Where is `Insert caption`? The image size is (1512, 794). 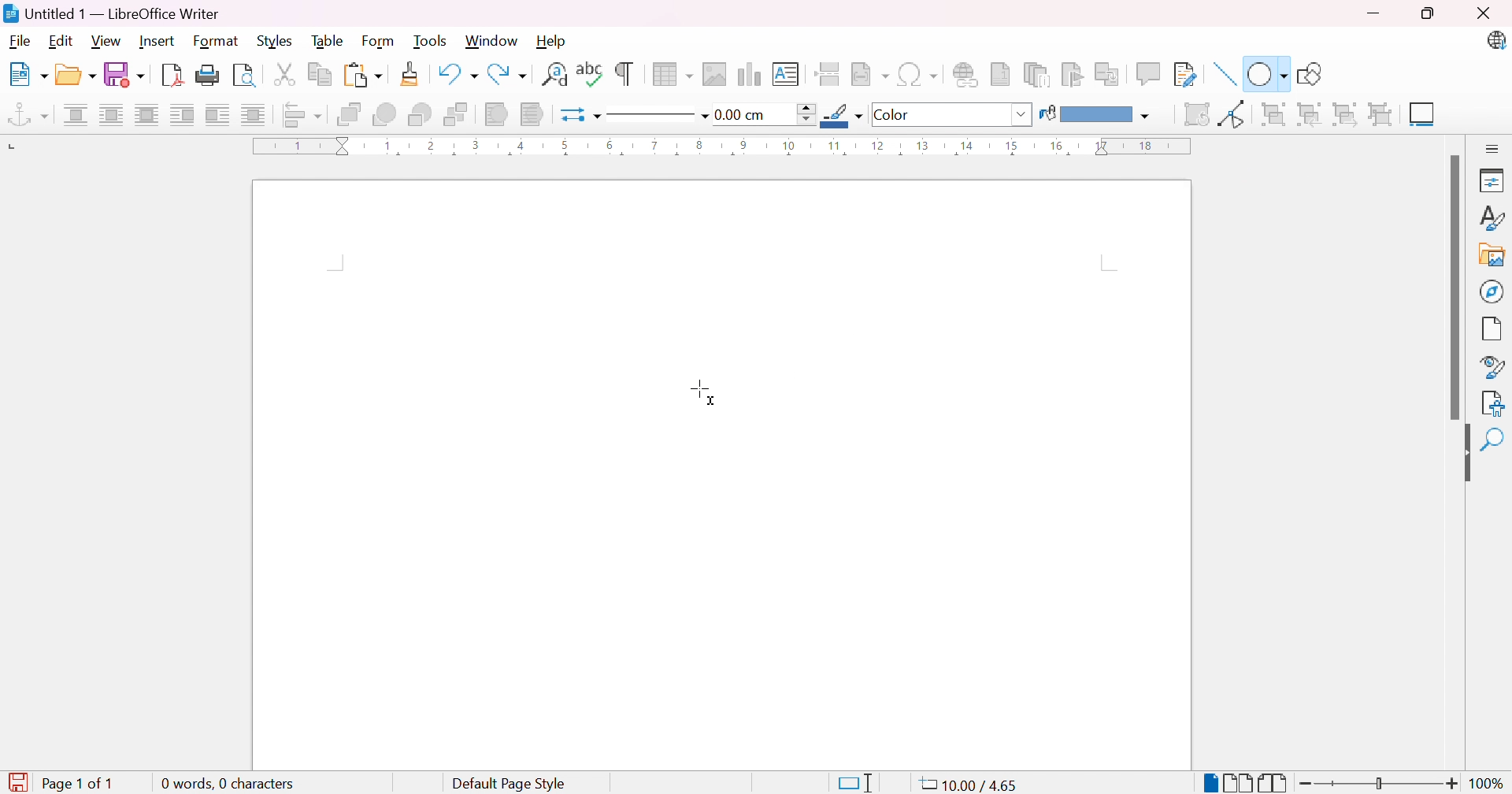 Insert caption is located at coordinates (1425, 117).